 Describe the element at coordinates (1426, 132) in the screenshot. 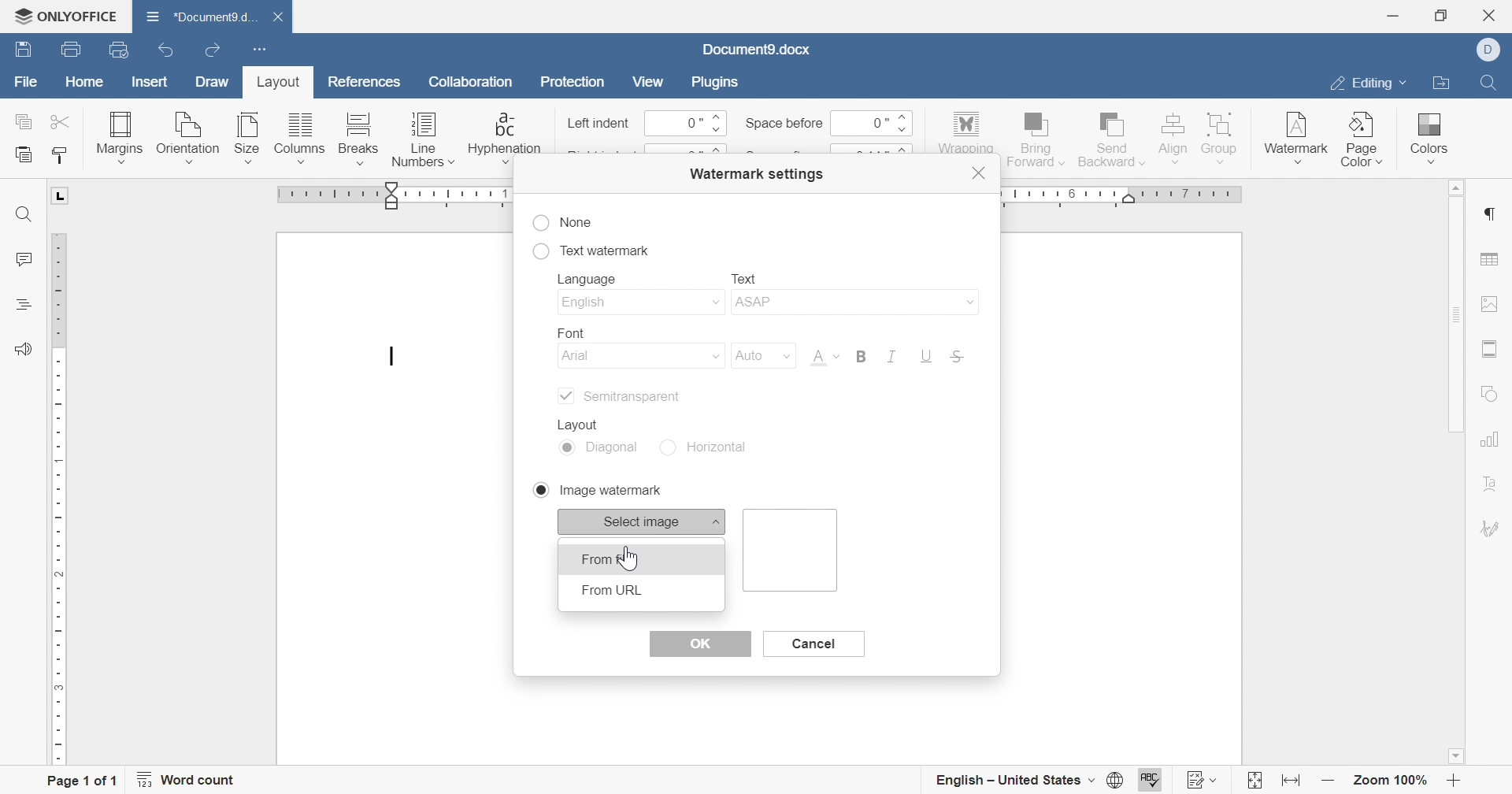

I see `colors` at that location.